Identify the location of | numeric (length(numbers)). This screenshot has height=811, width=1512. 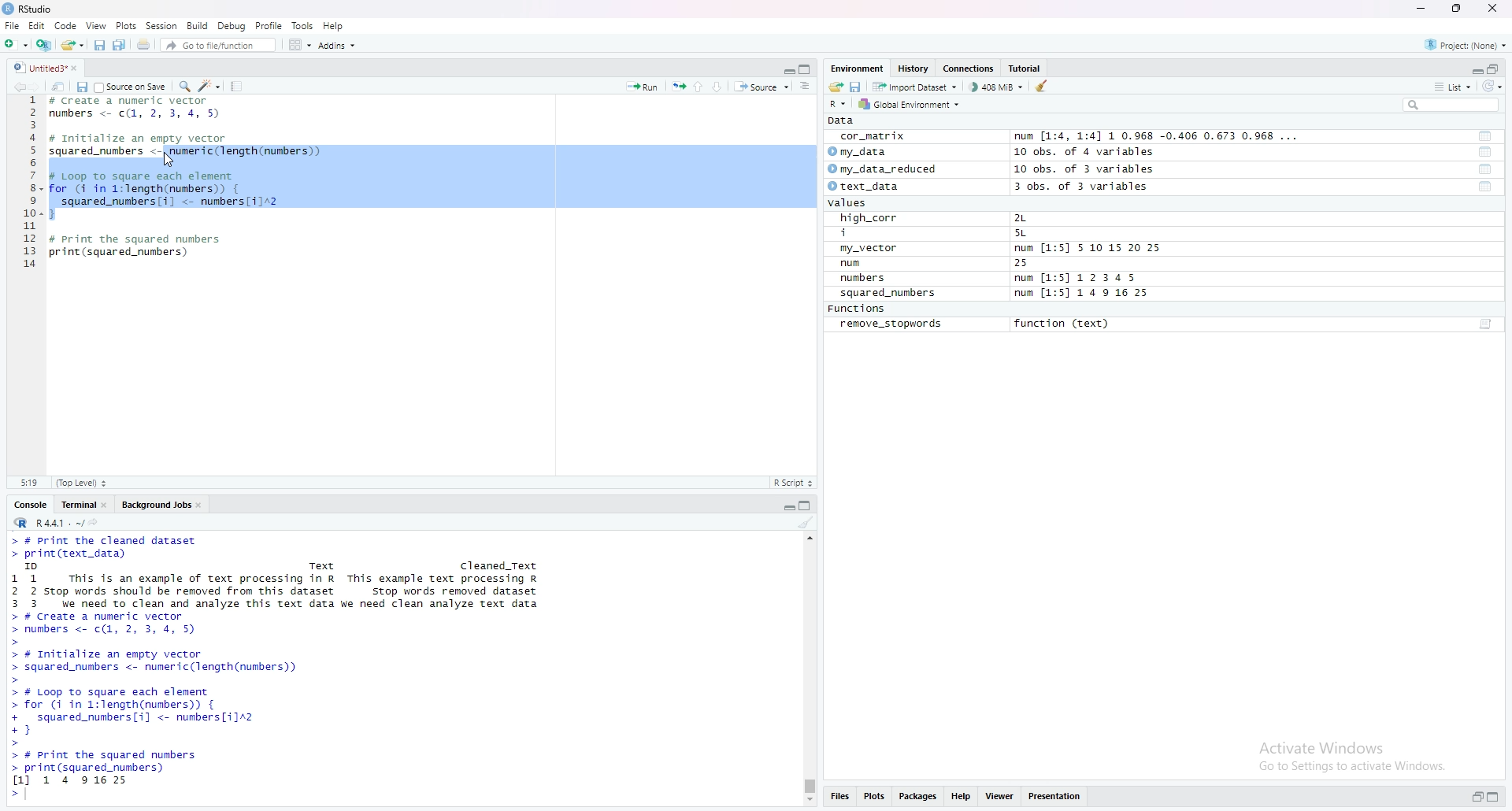
(247, 152).